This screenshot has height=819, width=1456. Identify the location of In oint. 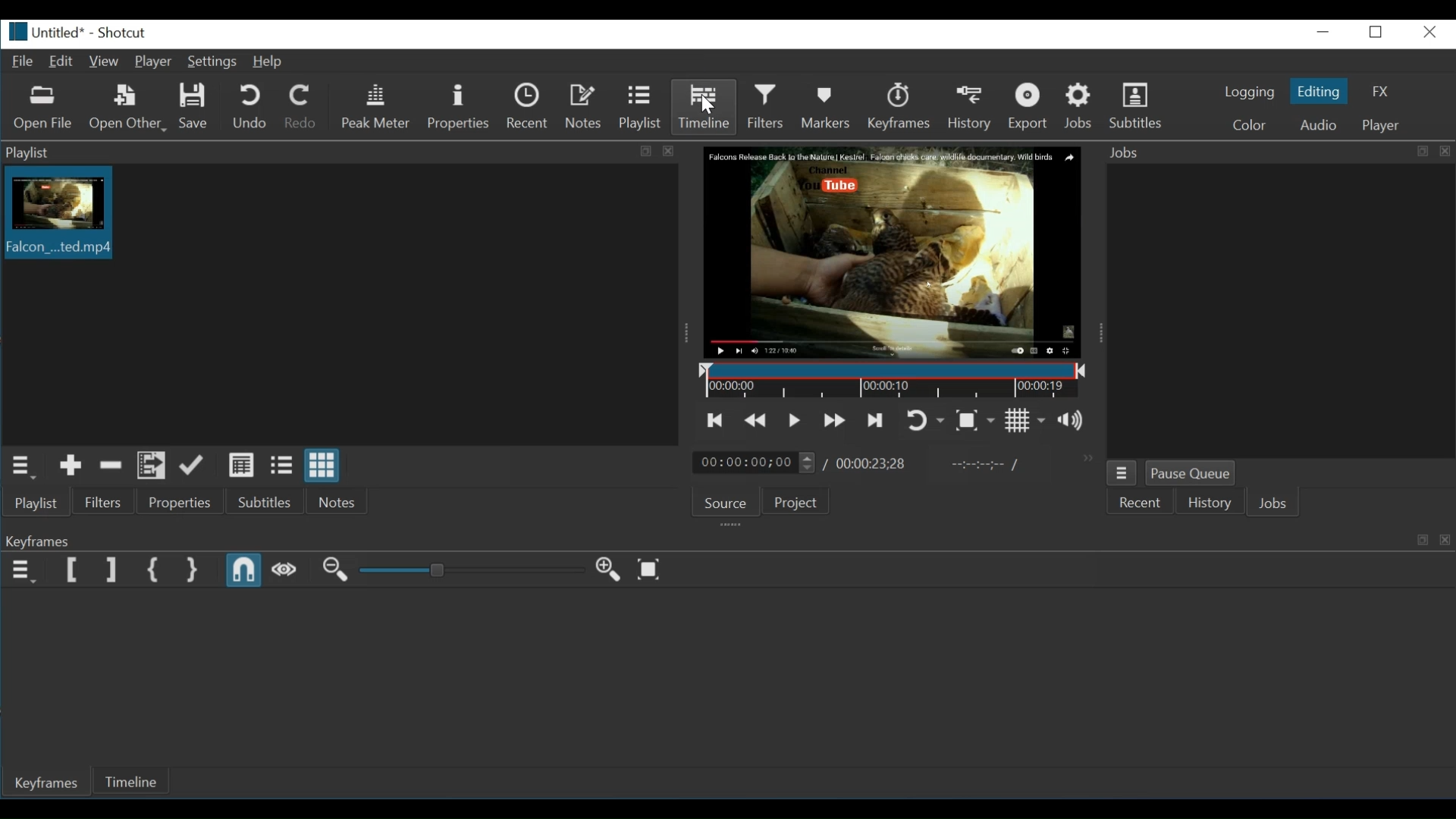
(981, 466).